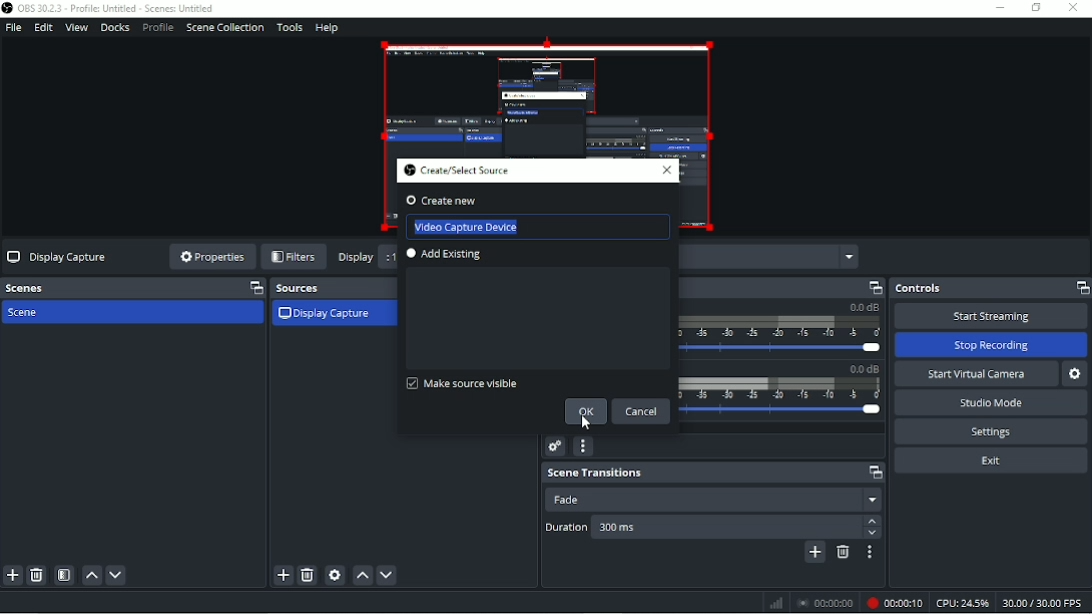  What do you see at coordinates (591, 423) in the screenshot?
I see `Pointer` at bounding box center [591, 423].